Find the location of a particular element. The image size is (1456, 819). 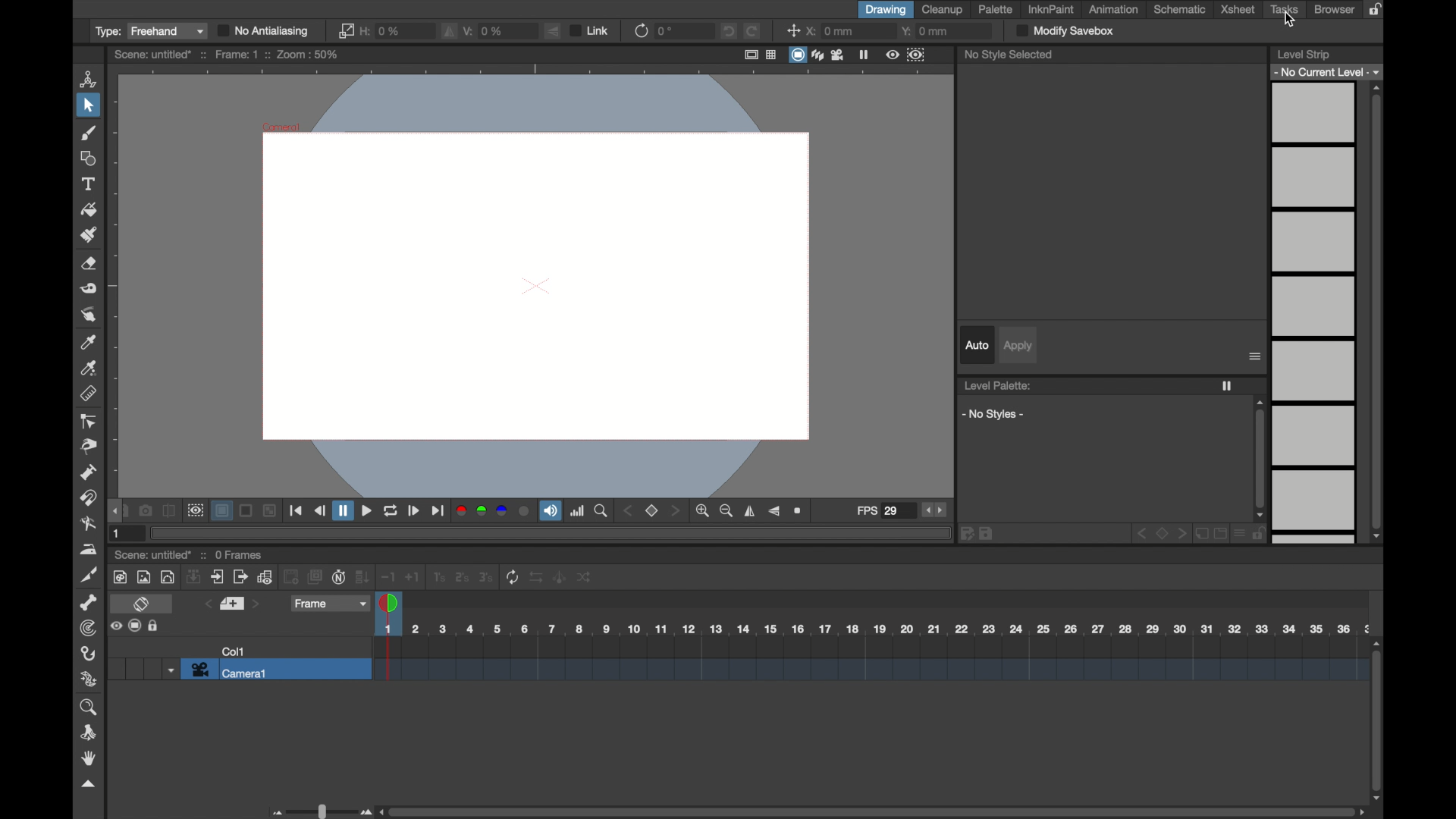

hand mode is located at coordinates (86, 758).